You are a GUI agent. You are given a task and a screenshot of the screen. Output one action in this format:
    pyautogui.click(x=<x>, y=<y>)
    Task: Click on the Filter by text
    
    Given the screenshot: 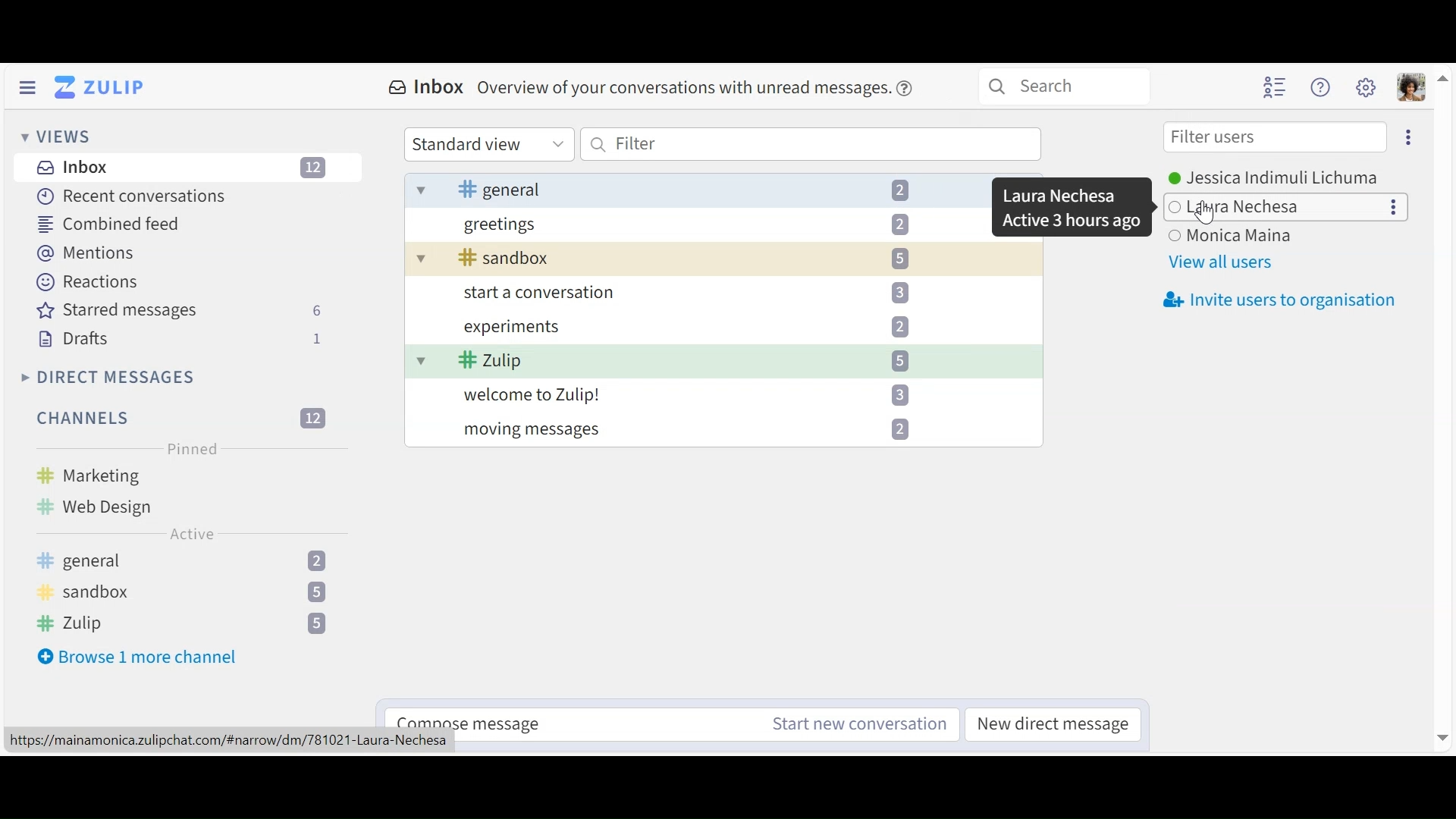 What is the action you would take?
    pyautogui.click(x=812, y=144)
    